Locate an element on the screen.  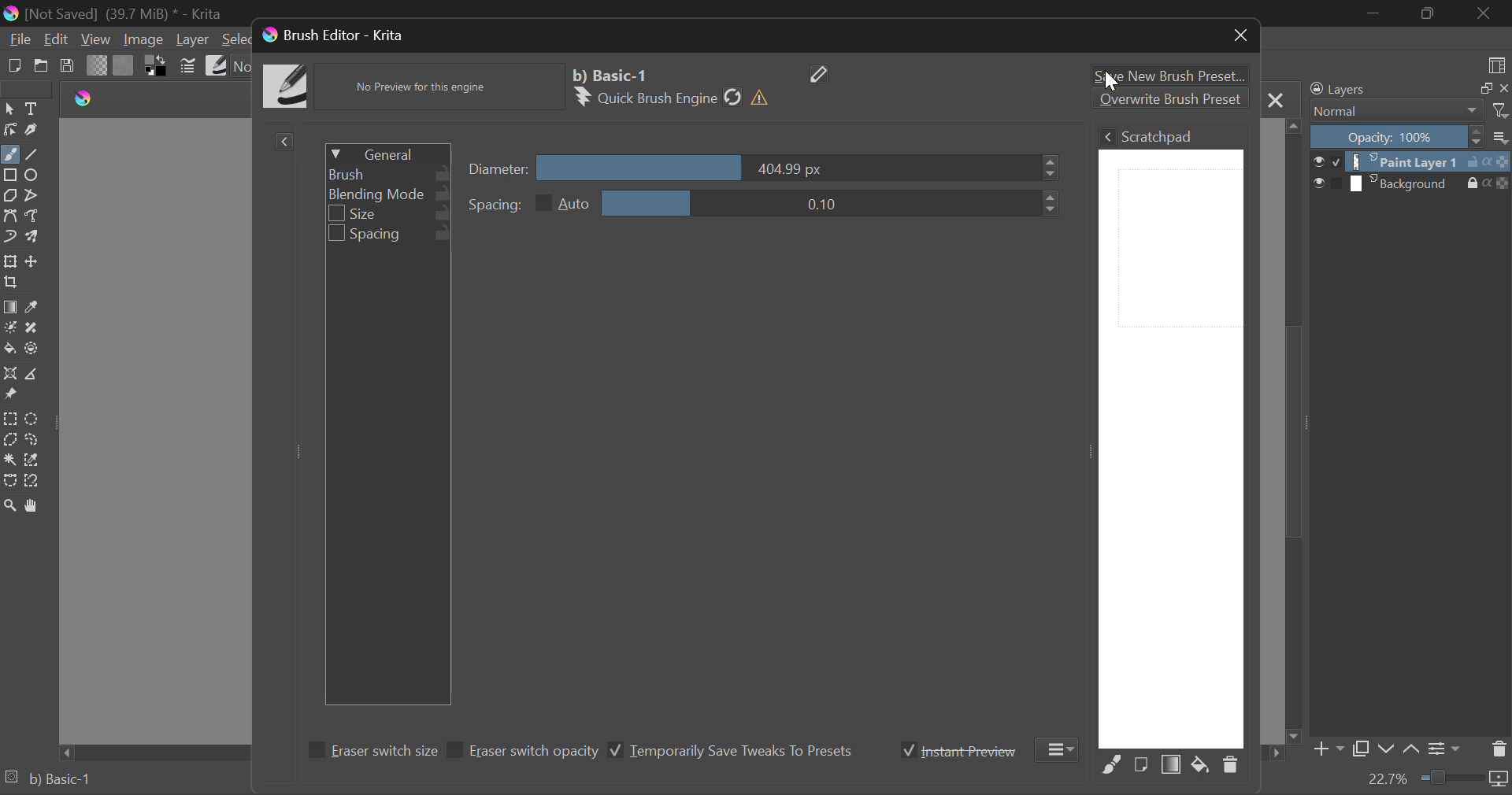
Choose Workspace is located at coordinates (1499, 65).